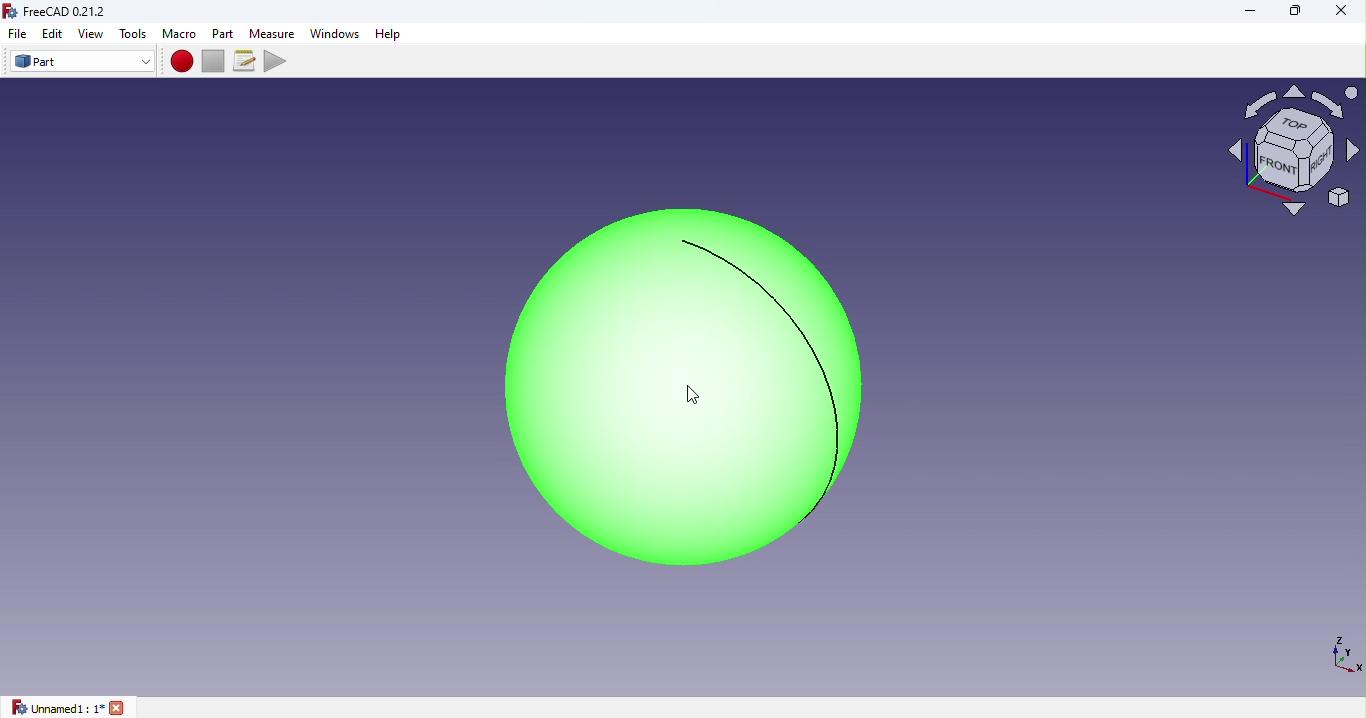 This screenshot has height=718, width=1366. I want to click on View, so click(94, 34).